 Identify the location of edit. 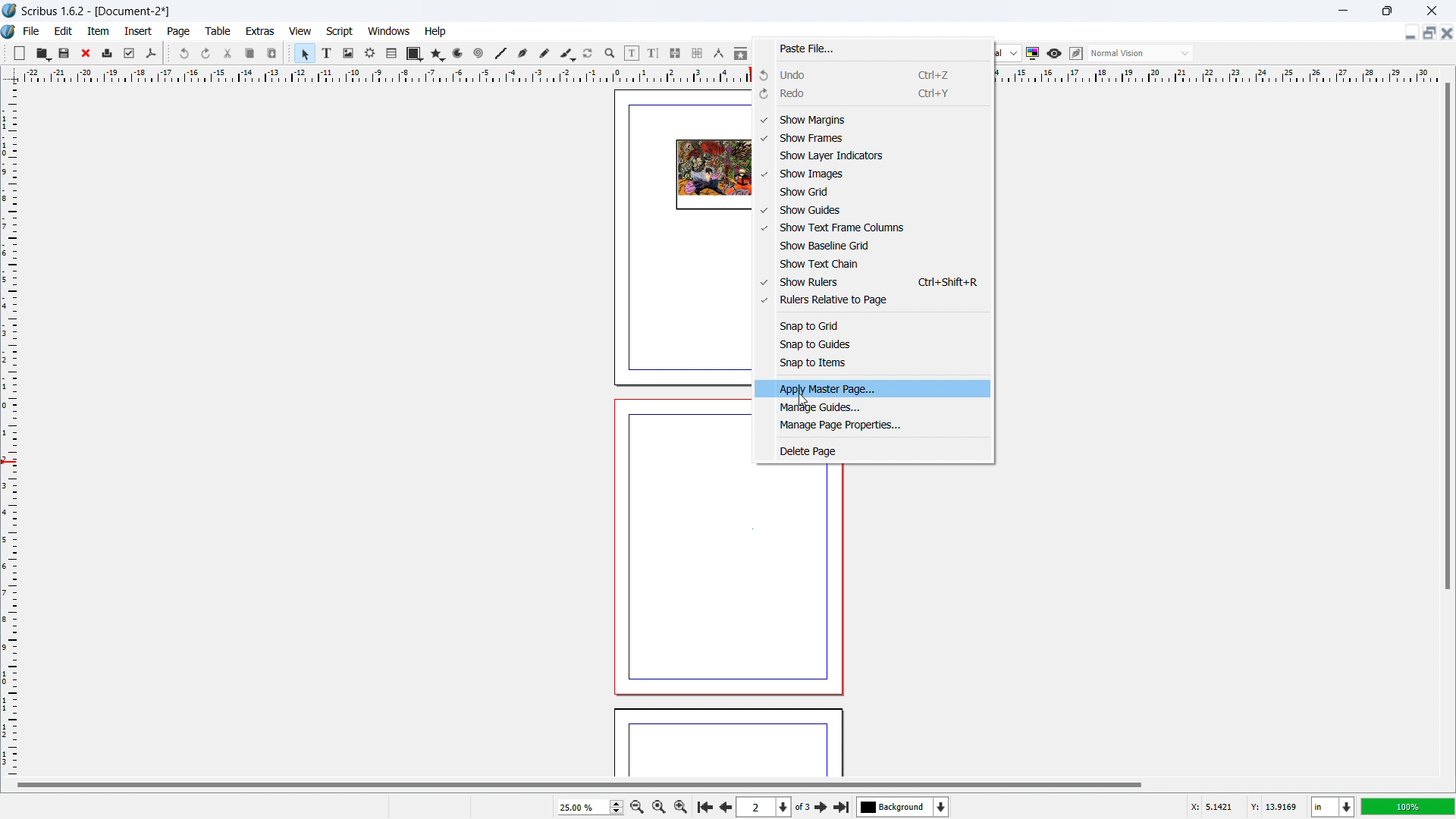
(64, 31).